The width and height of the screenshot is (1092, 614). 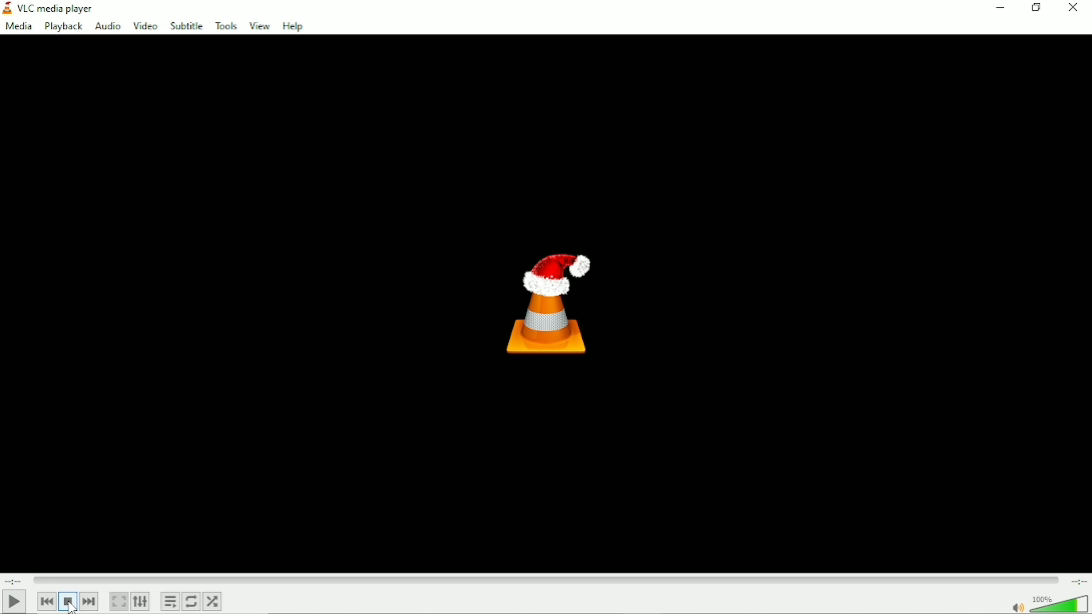 I want to click on Random, so click(x=213, y=601).